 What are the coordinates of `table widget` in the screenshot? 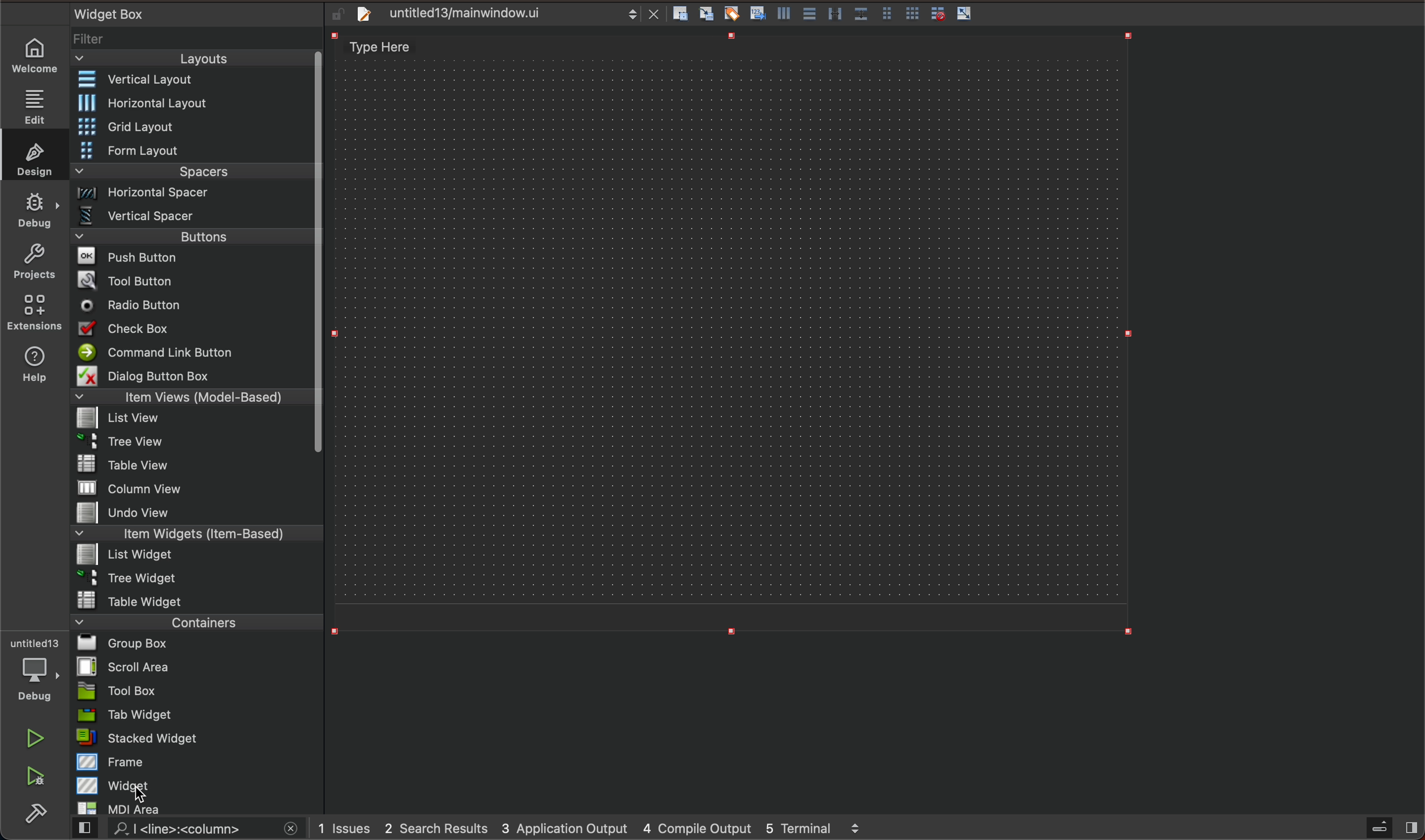 It's located at (195, 599).